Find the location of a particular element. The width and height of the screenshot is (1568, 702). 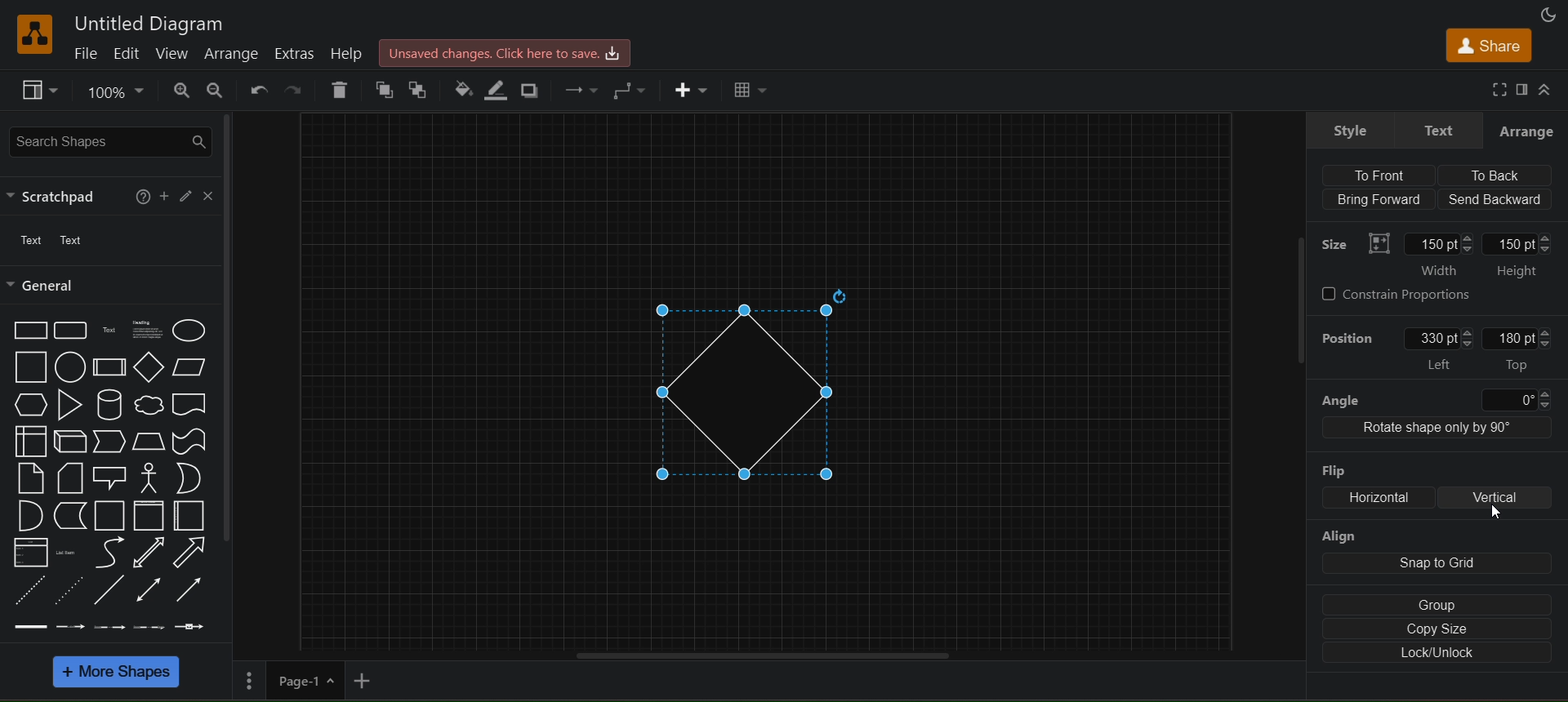

send backward is located at coordinates (1496, 198).